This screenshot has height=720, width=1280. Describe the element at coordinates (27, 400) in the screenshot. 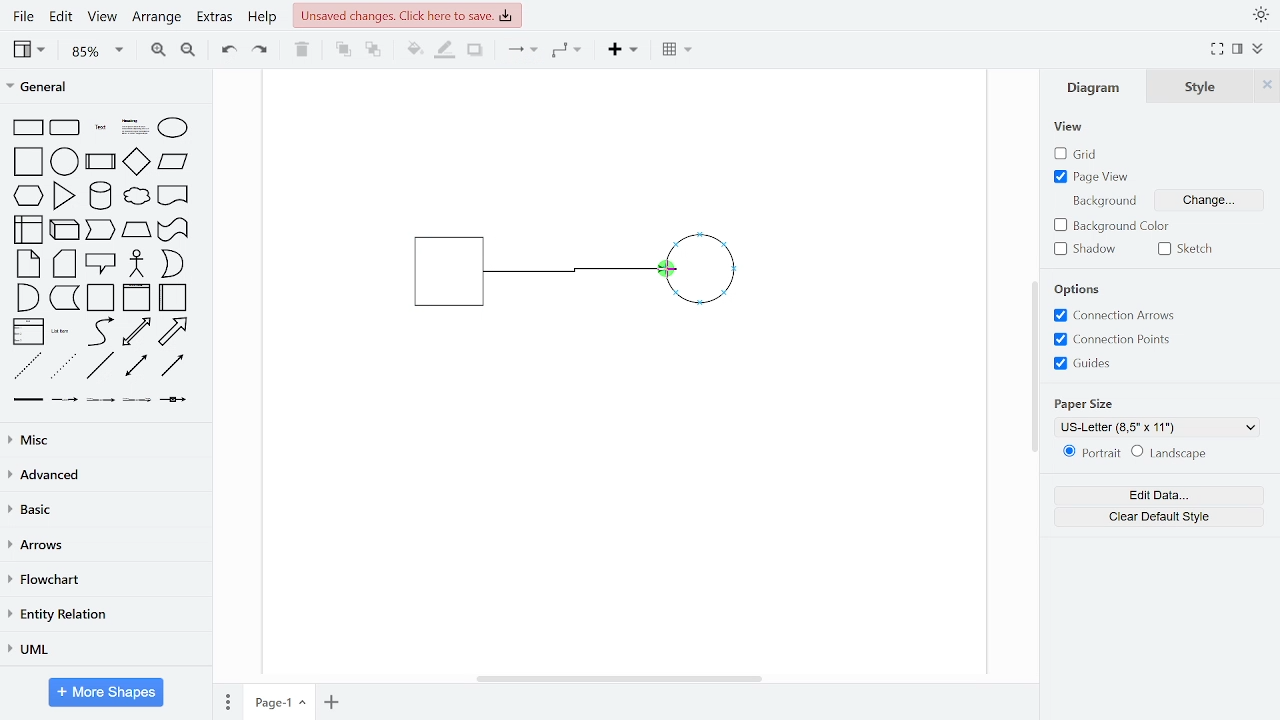

I see `link` at that location.